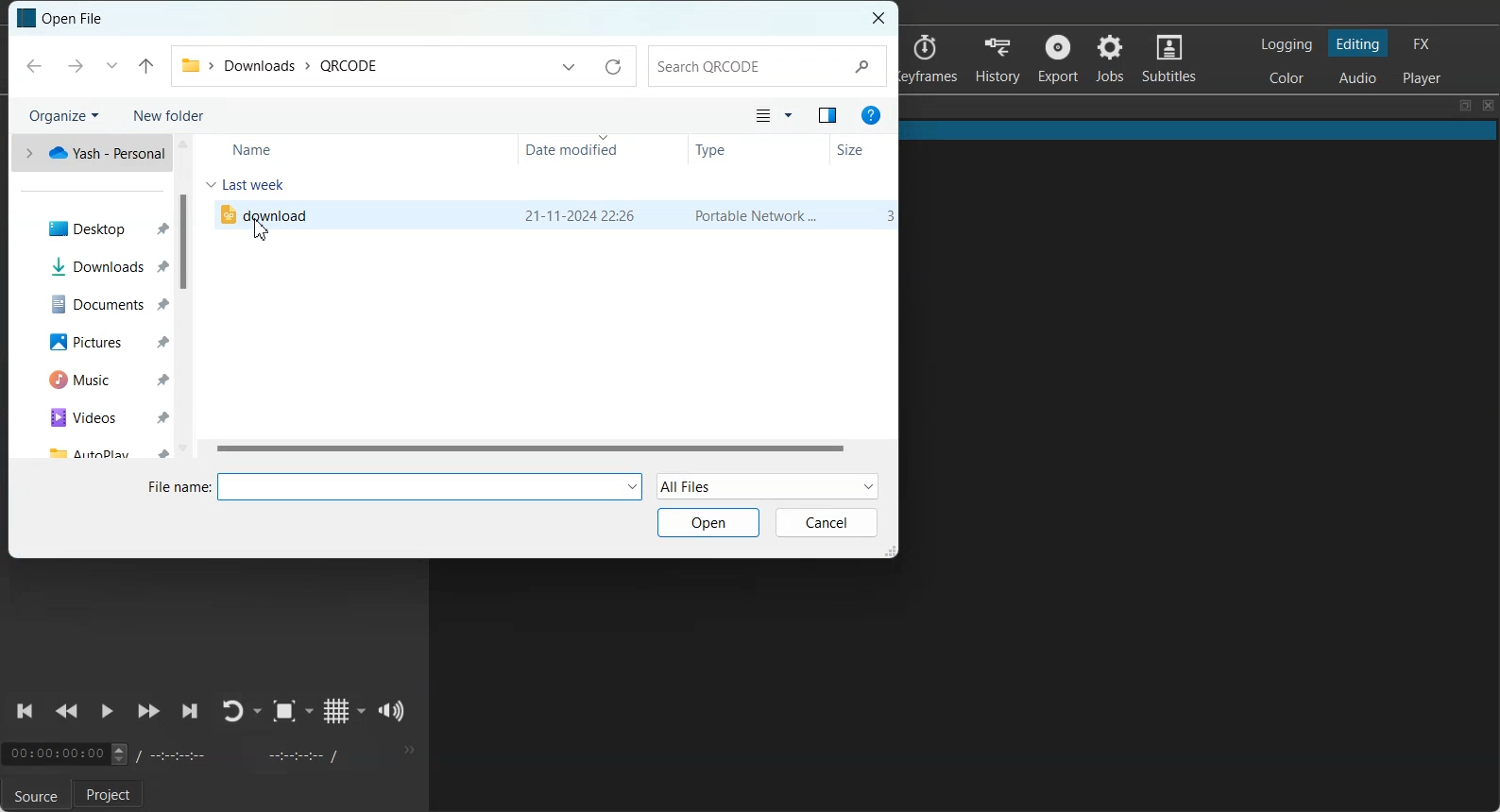 This screenshot has height=812, width=1500. I want to click on size, so click(887, 216).